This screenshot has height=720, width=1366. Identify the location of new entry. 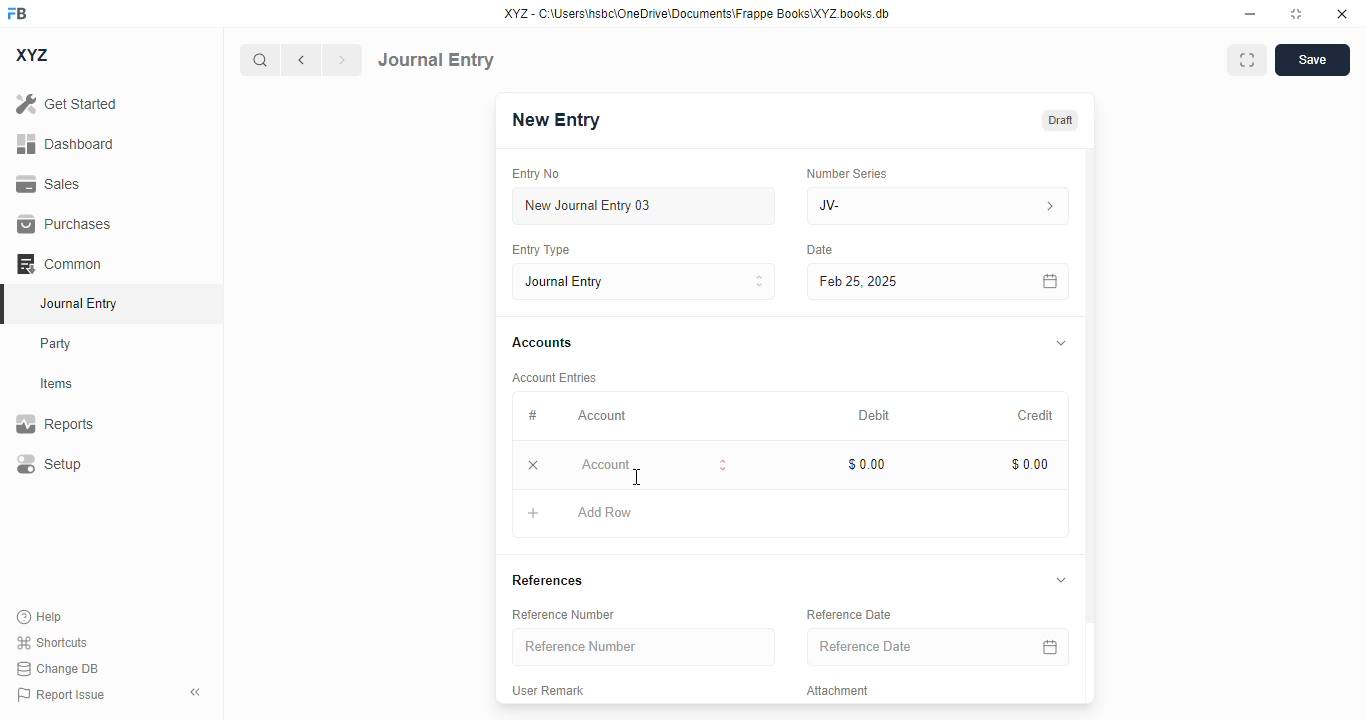
(554, 120).